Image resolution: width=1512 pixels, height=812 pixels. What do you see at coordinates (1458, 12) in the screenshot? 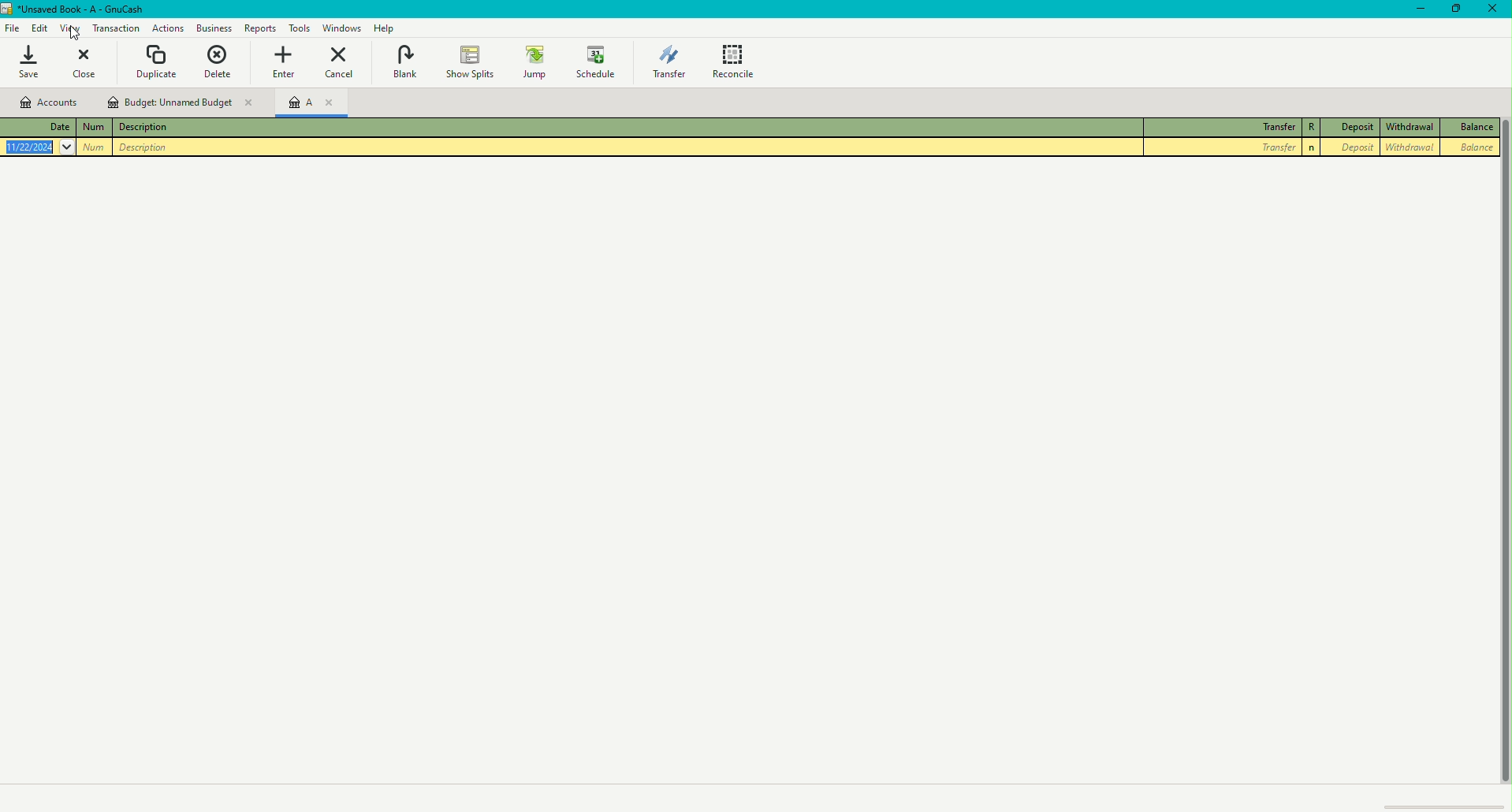
I see `Restore` at bounding box center [1458, 12].